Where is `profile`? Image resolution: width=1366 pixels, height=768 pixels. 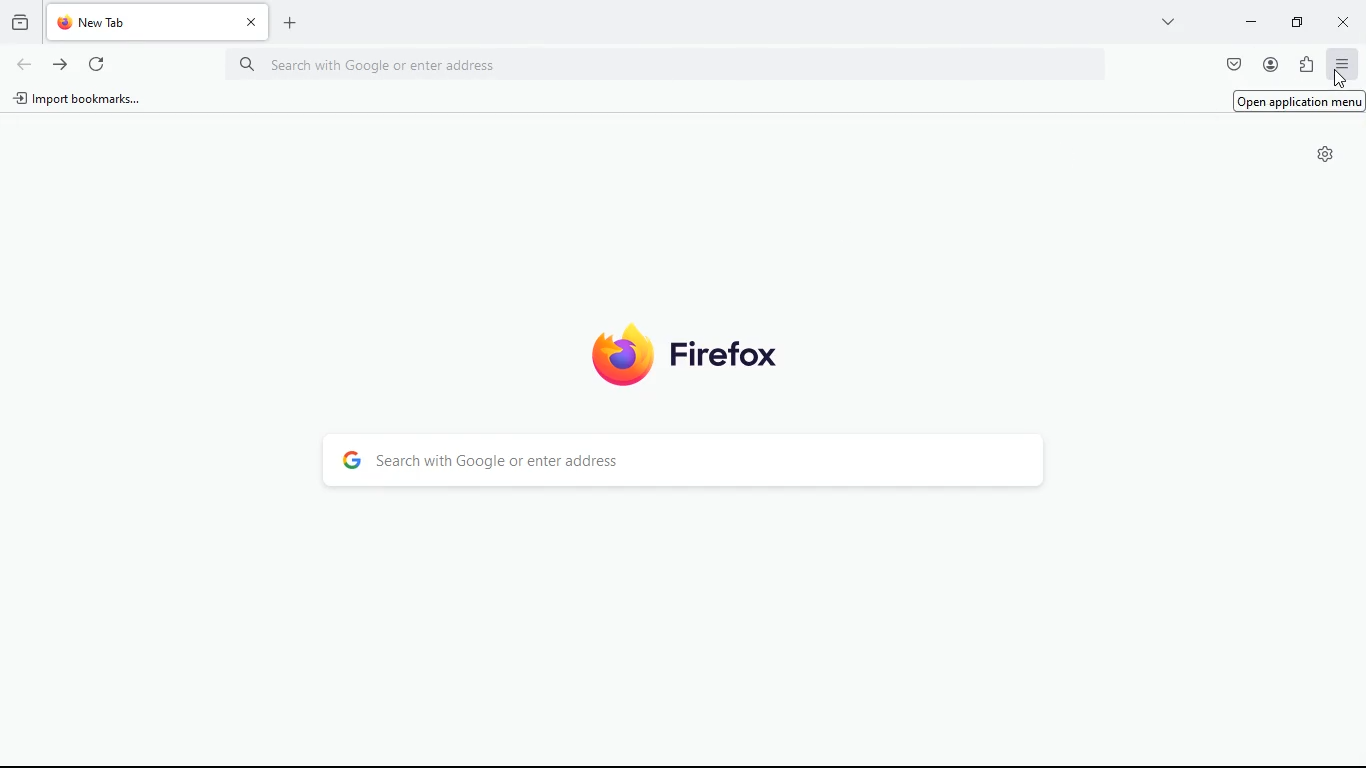 profile is located at coordinates (1268, 65).